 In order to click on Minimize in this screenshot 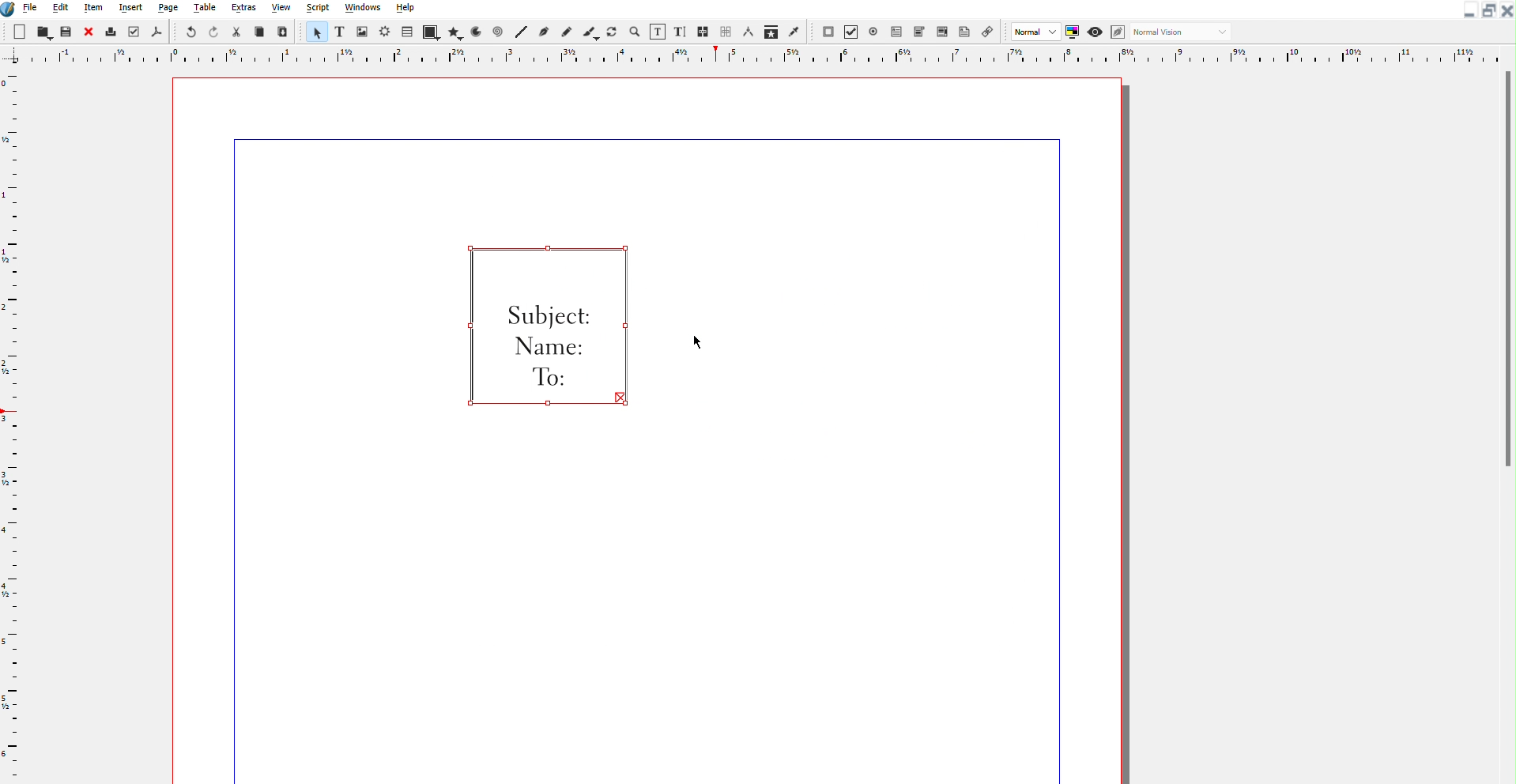, I will do `click(1467, 10)`.